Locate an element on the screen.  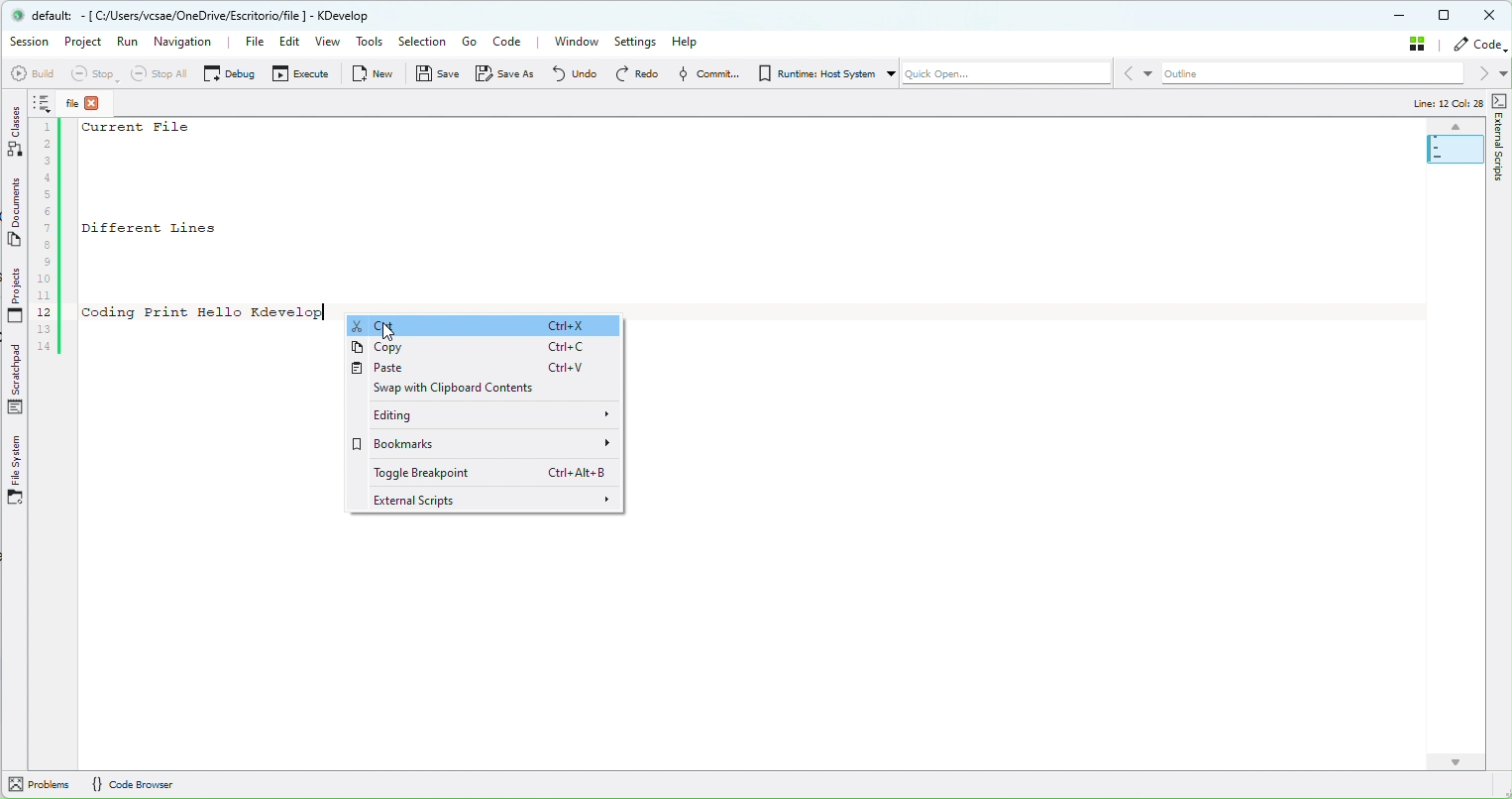
» default: - [ C/Users/vcsae/OneDrive/Escritorioffile | - KDevelop is located at coordinates (201, 17).